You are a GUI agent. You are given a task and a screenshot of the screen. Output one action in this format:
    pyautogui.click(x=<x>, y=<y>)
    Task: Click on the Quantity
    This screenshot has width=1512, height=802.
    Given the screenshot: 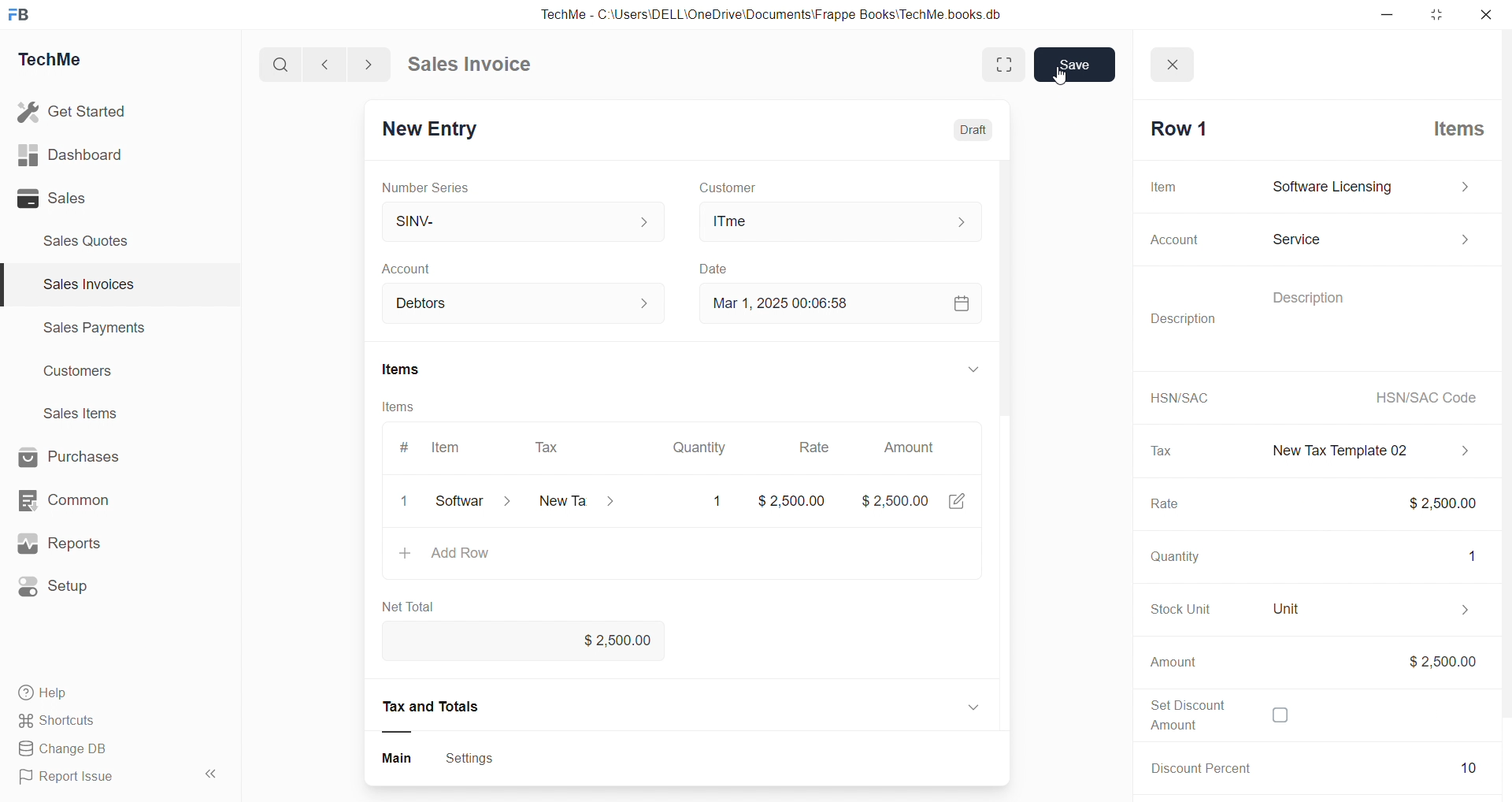 What is the action you would take?
    pyautogui.click(x=1170, y=559)
    